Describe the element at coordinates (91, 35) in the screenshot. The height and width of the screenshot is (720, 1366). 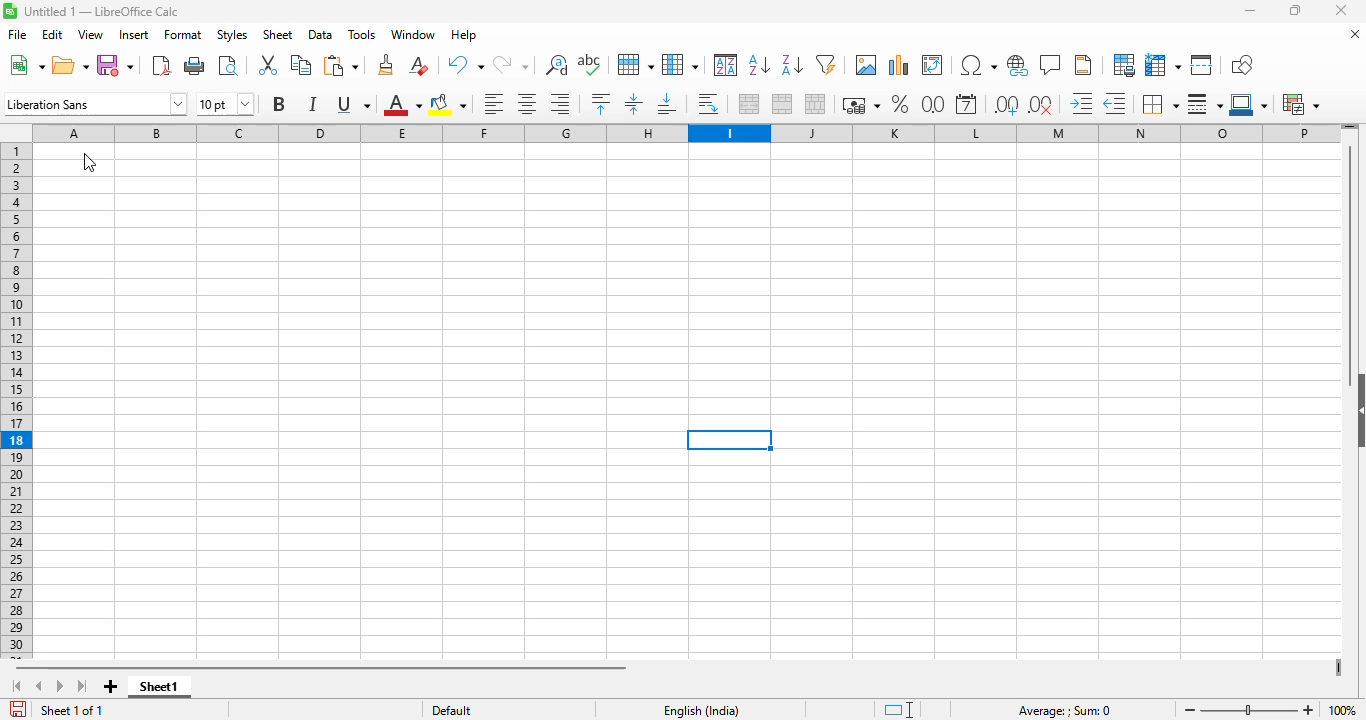
I see `view` at that location.